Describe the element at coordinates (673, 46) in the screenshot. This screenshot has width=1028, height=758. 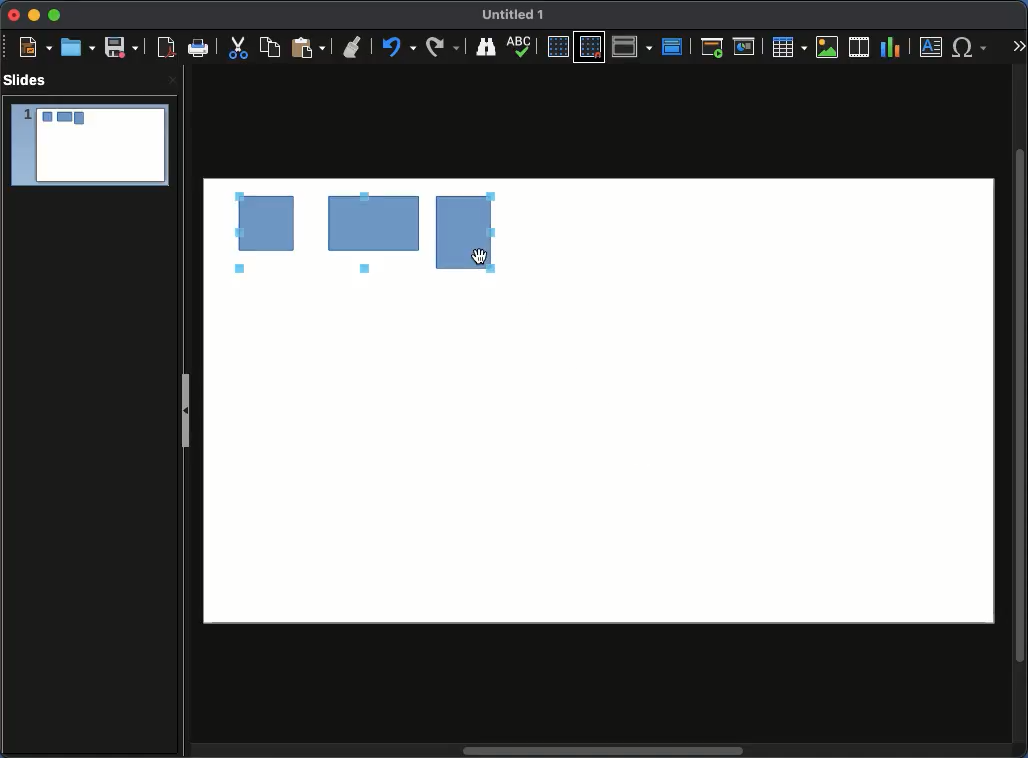
I see `Master slide` at that location.